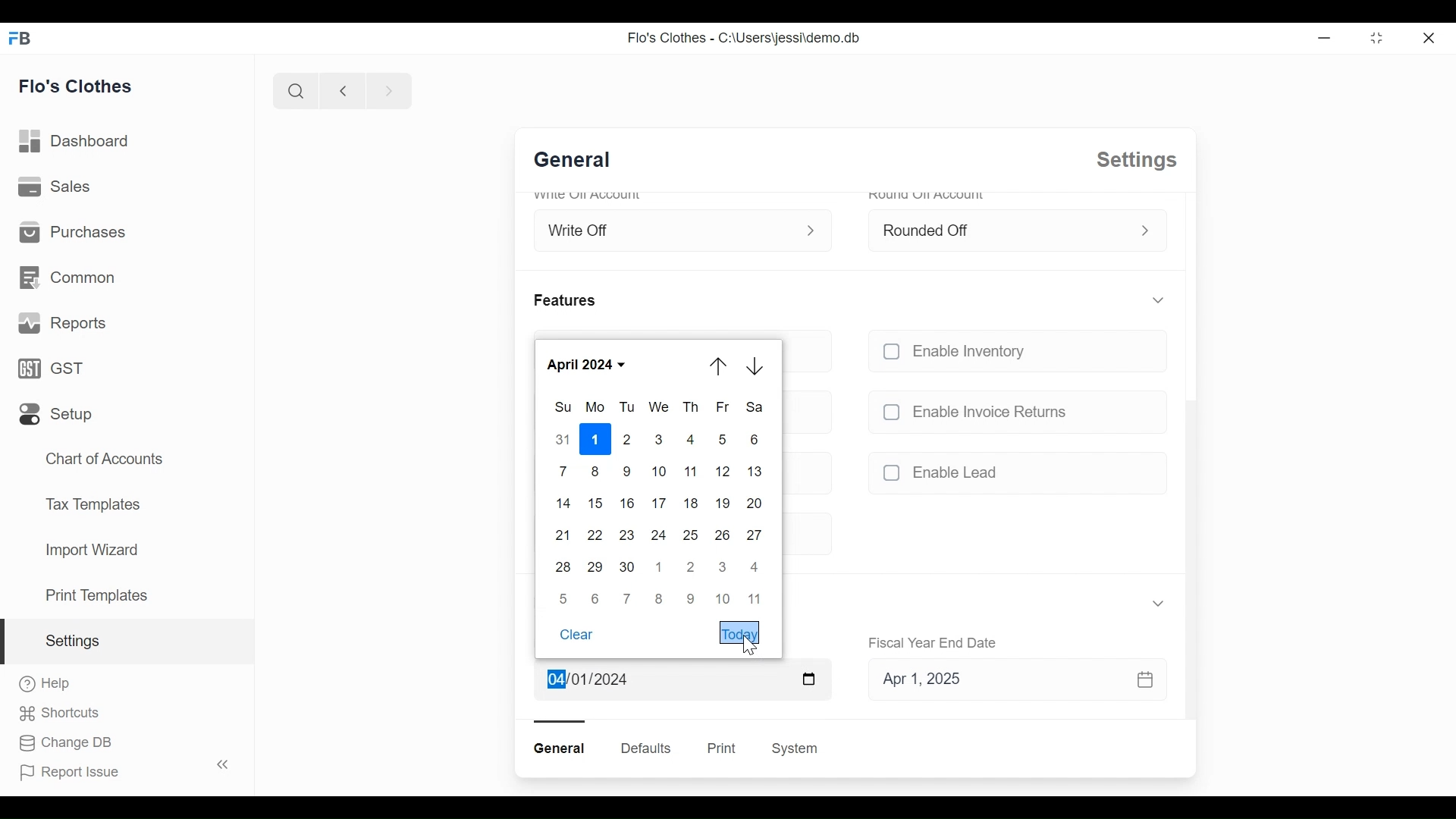  Describe the element at coordinates (755, 406) in the screenshot. I see `Sa` at that location.